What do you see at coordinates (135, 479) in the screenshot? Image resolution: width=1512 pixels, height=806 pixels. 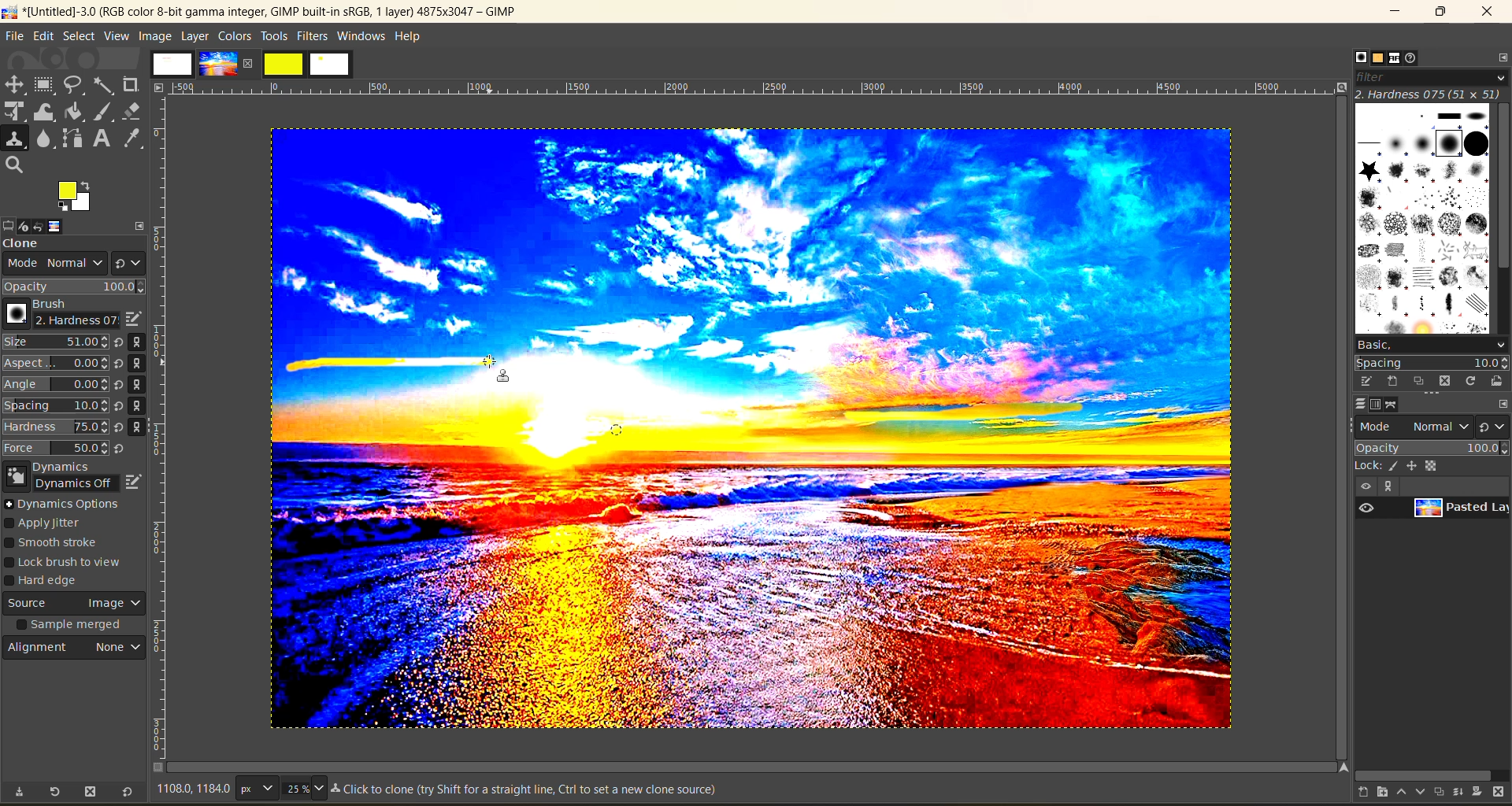 I see `edit` at bounding box center [135, 479].